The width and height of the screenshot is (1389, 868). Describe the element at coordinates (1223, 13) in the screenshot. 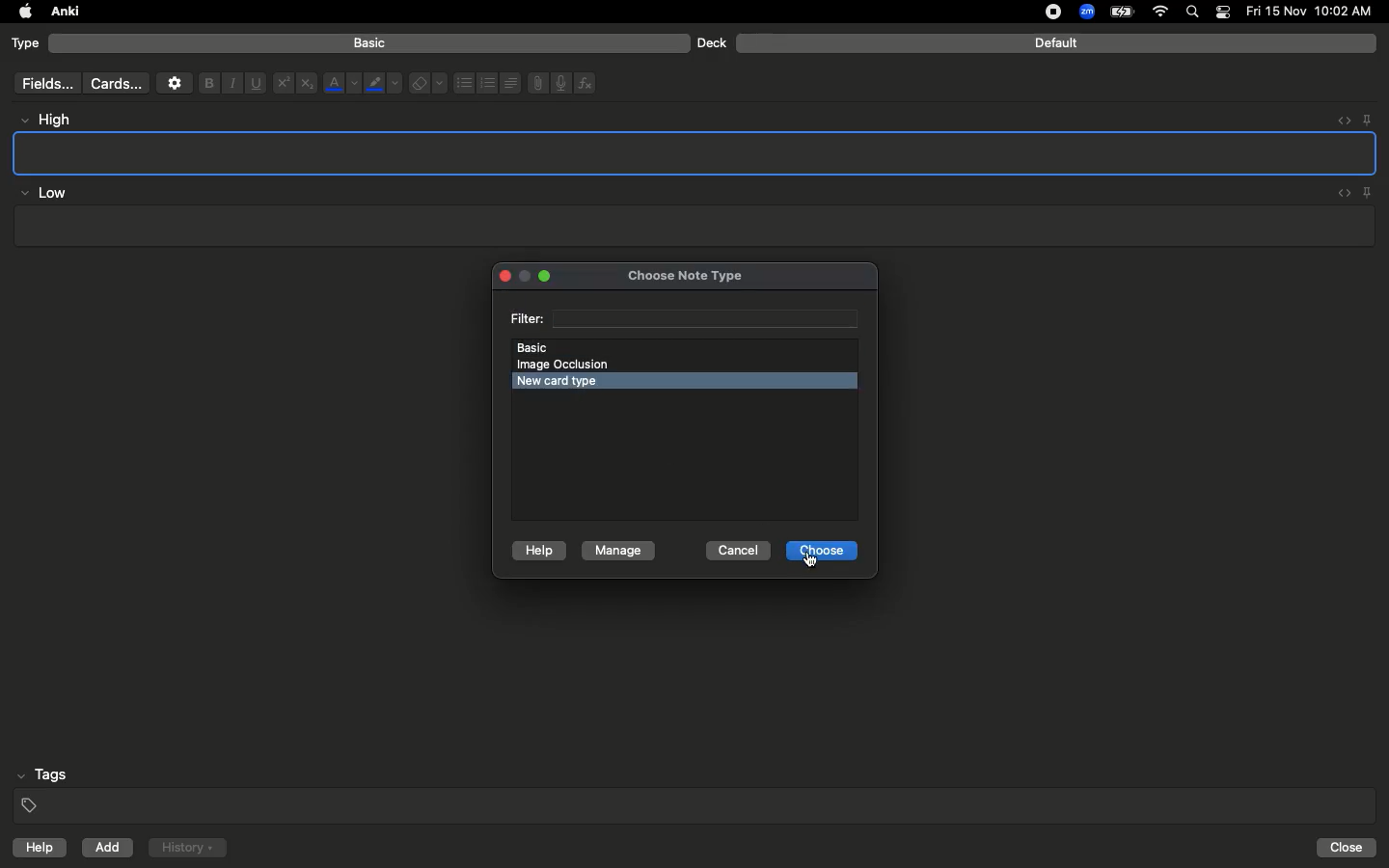

I see `Notification bar` at that location.